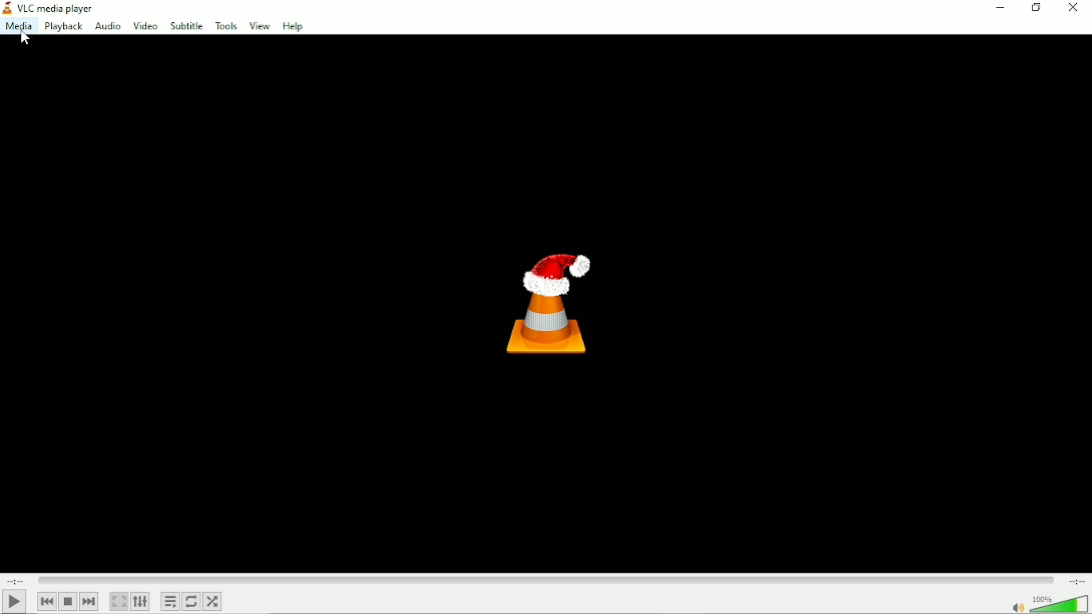 The image size is (1092, 614). I want to click on Close, so click(1072, 7).